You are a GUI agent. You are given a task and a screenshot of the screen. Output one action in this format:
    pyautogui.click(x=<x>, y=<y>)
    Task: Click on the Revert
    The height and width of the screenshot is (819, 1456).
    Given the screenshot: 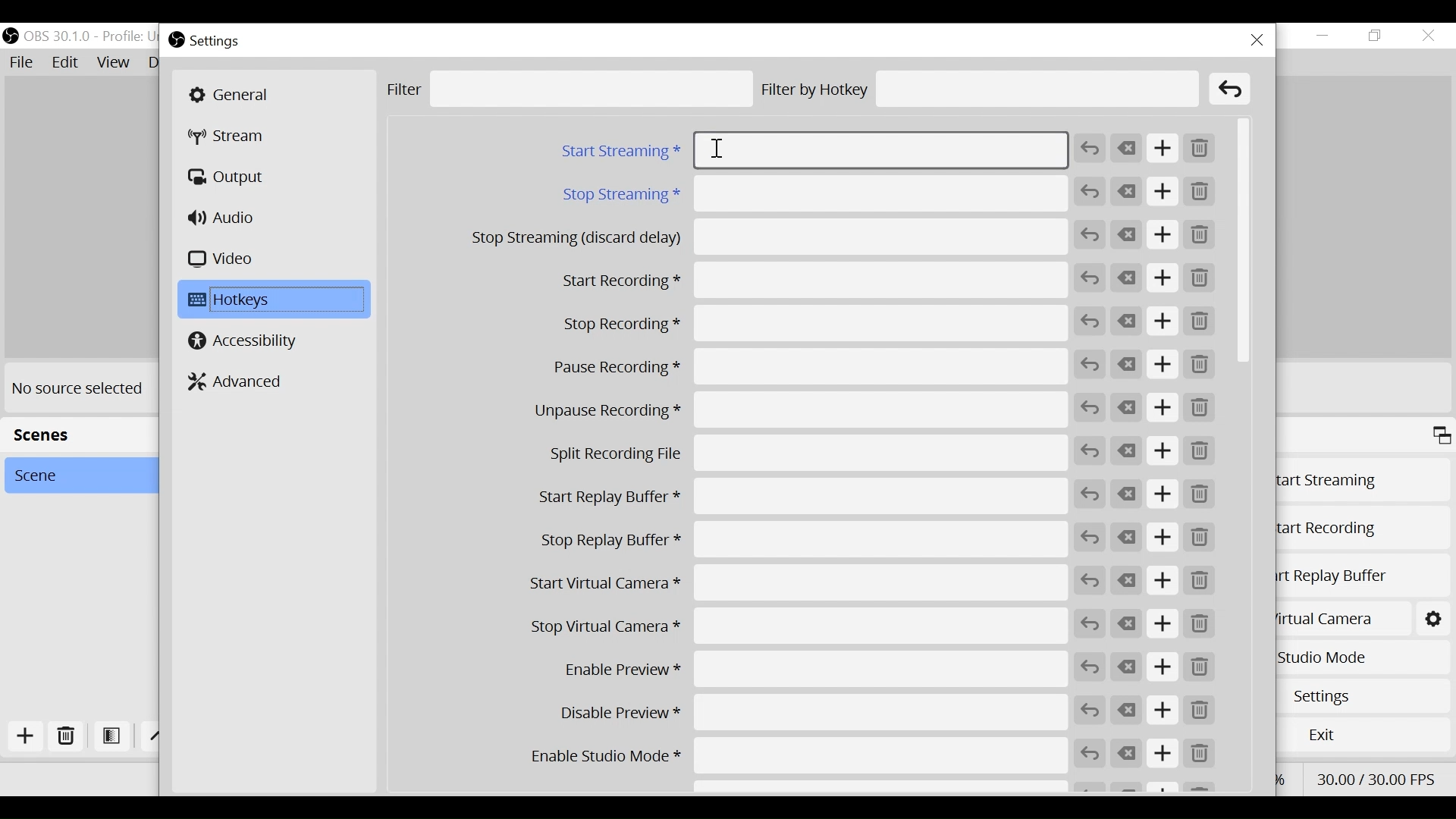 What is the action you would take?
    pyautogui.click(x=1090, y=366)
    